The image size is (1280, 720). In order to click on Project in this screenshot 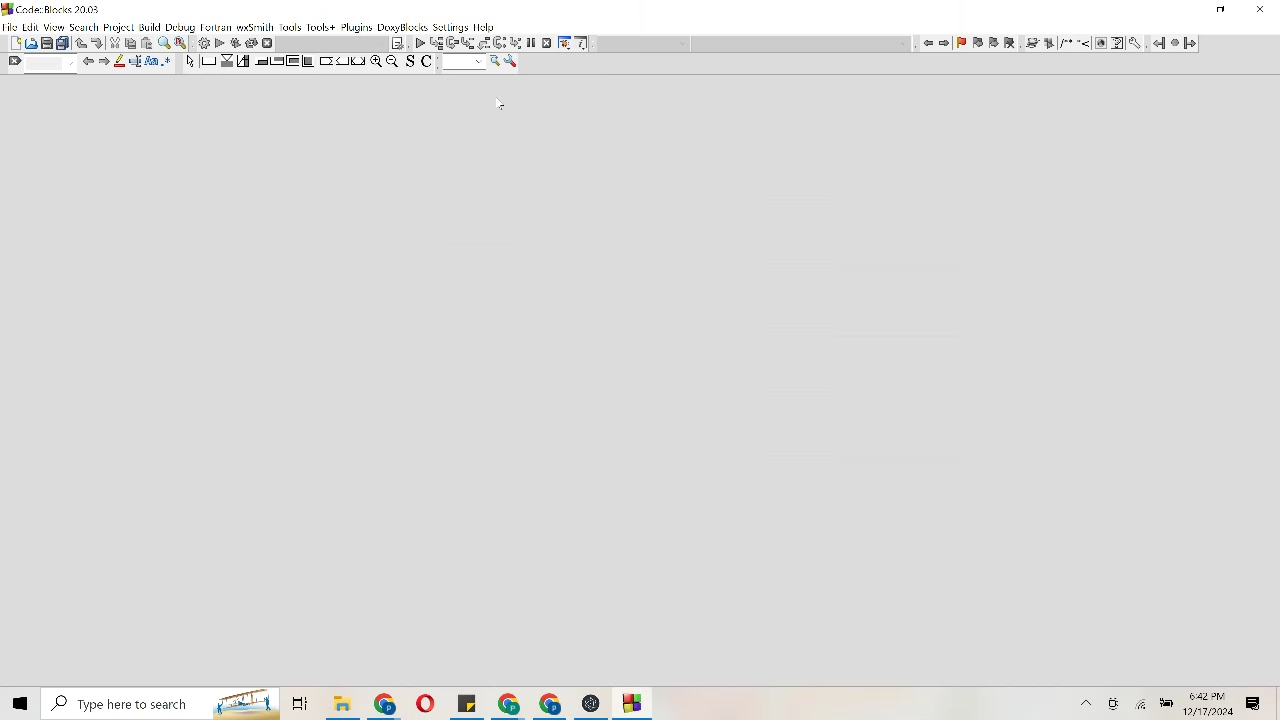, I will do `click(118, 27)`.